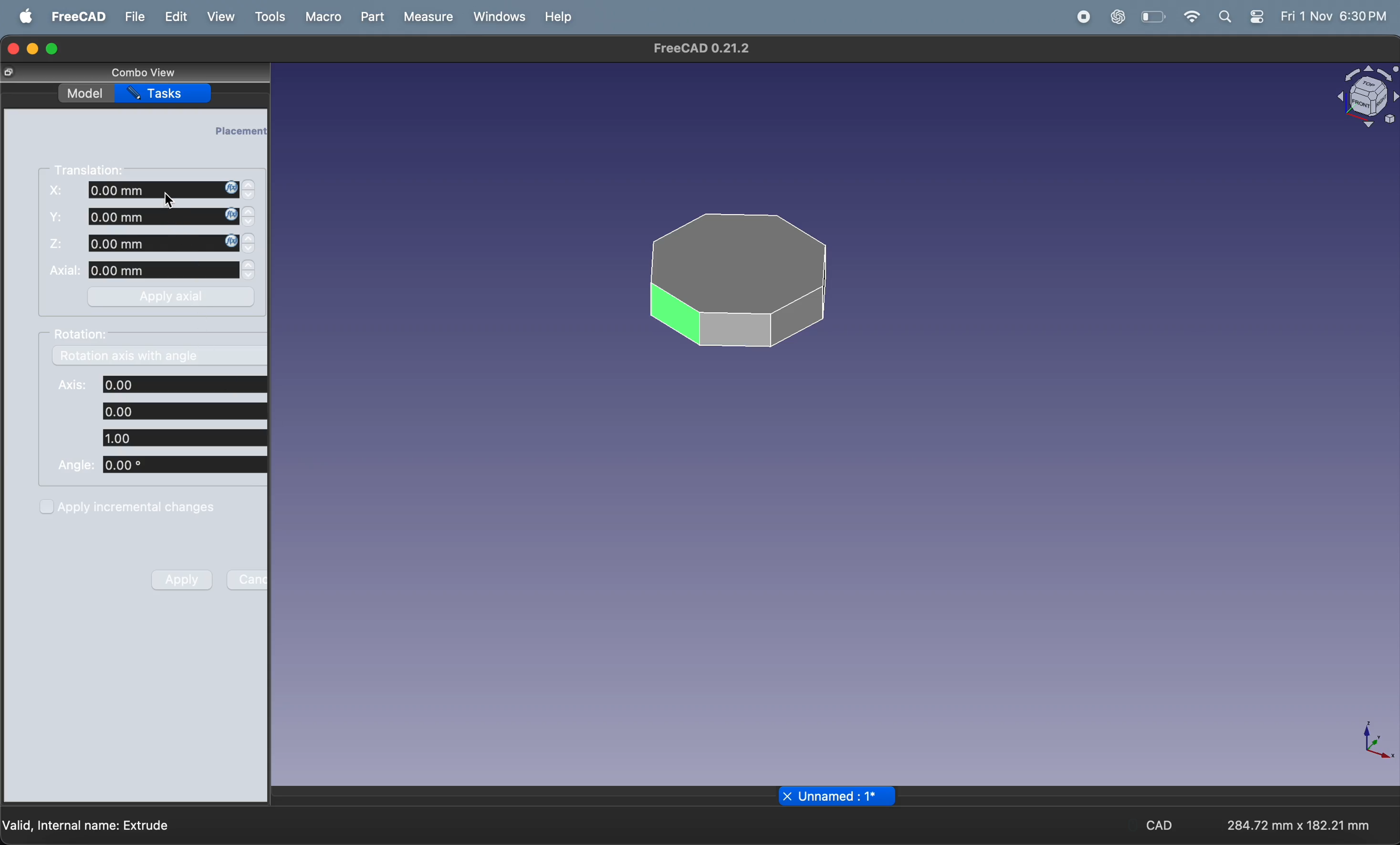 The height and width of the screenshot is (845, 1400). Describe the element at coordinates (182, 579) in the screenshot. I see `Apply` at that location.